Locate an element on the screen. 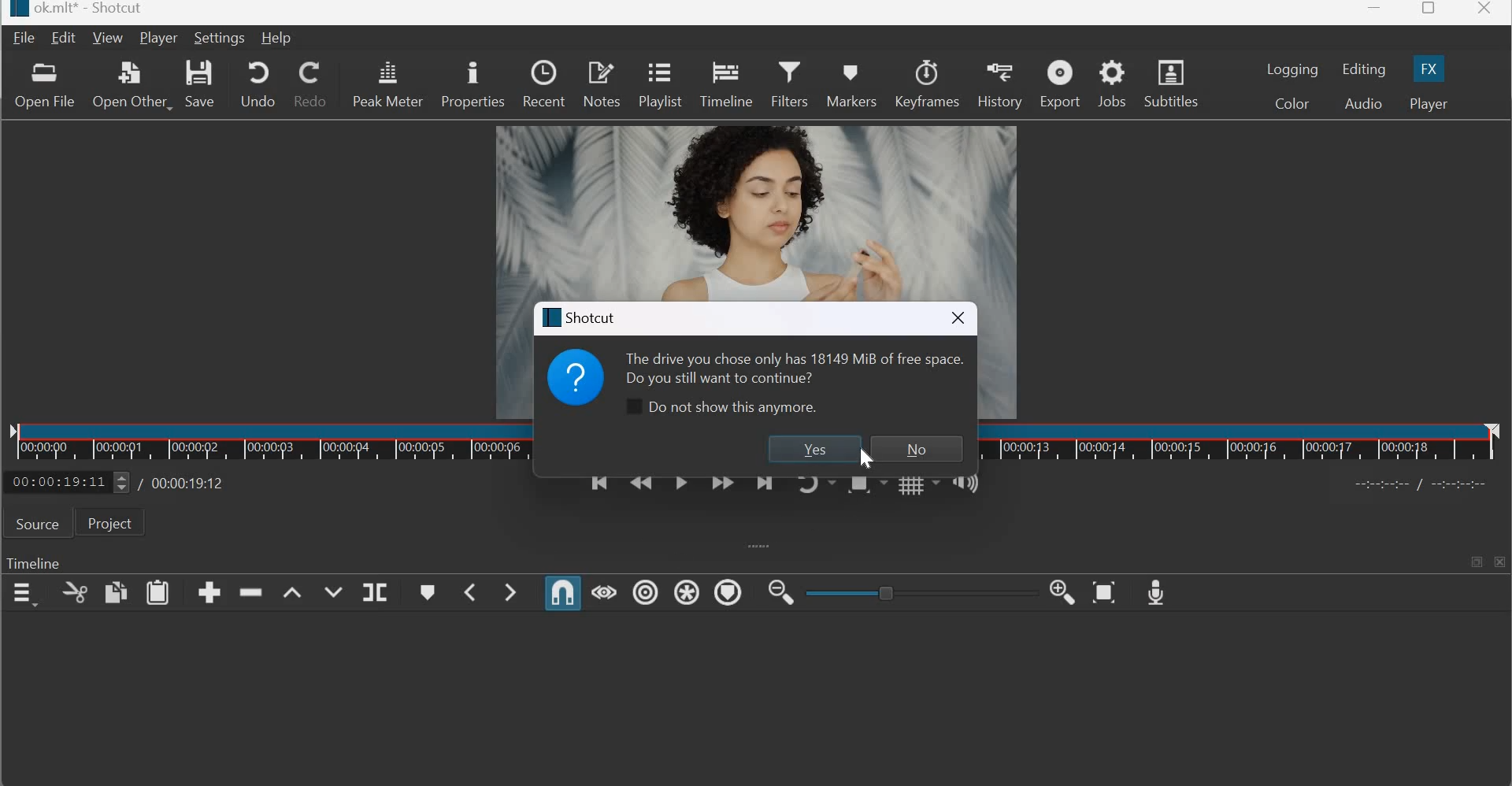 This screenshot has width=1512, height=786. Ripple is located at coordinates (645, 592).